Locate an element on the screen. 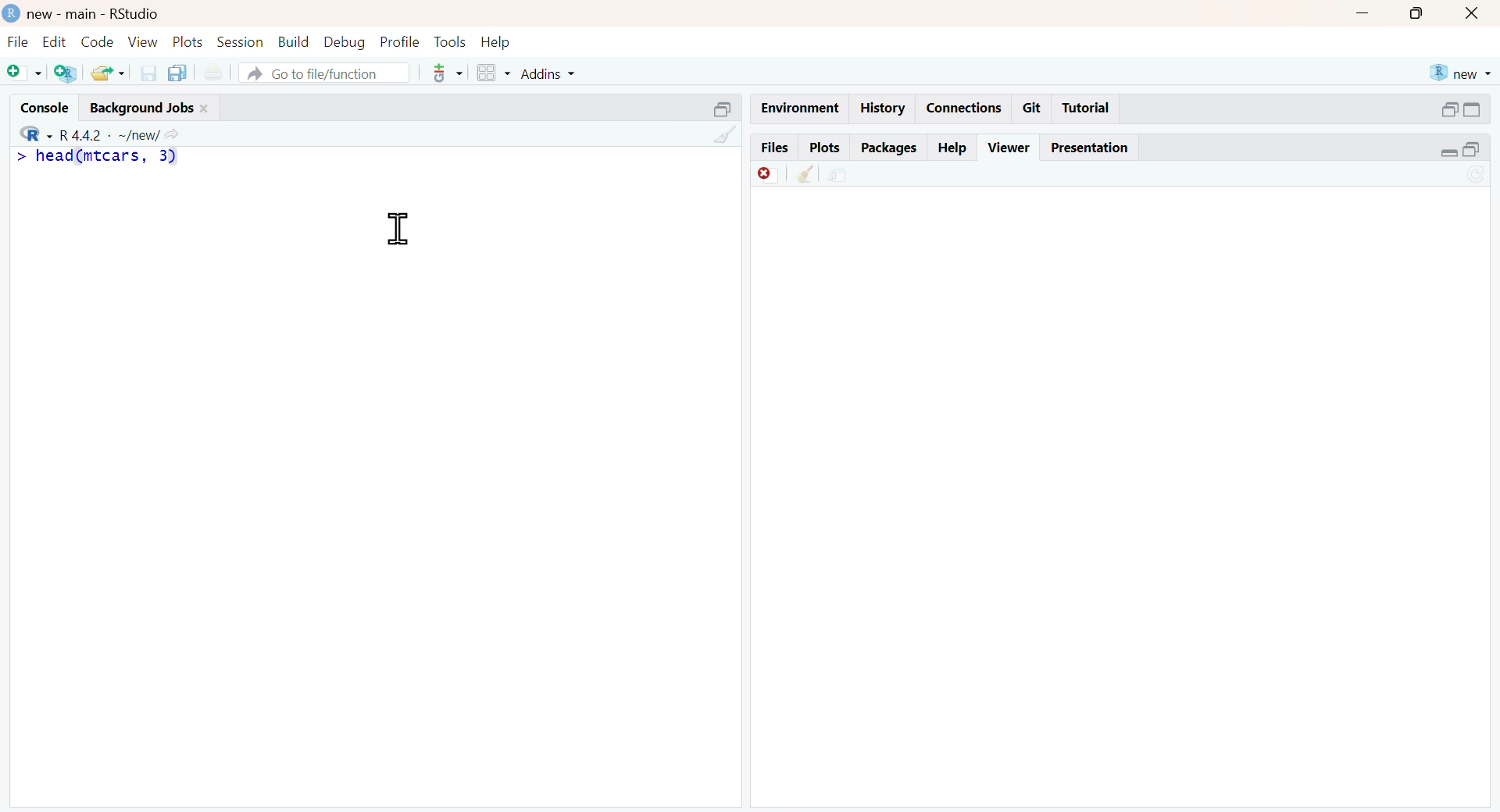 The image size is (1500, 812). windows pane is located at coordinates (487, 73).